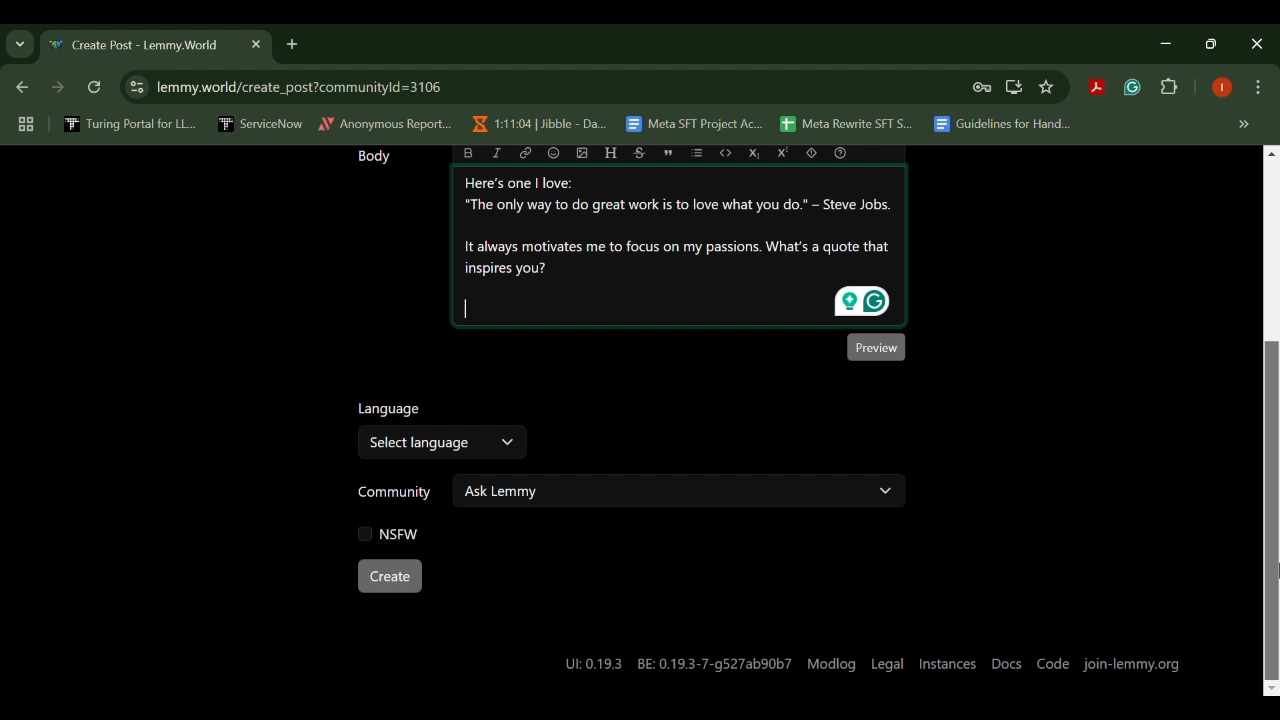 The height and width of the screenshot is (720, 1280). What do you see at coordinates (1054, 665) in the screenshot?
I see `Code` at bounding box center [1054, 665].